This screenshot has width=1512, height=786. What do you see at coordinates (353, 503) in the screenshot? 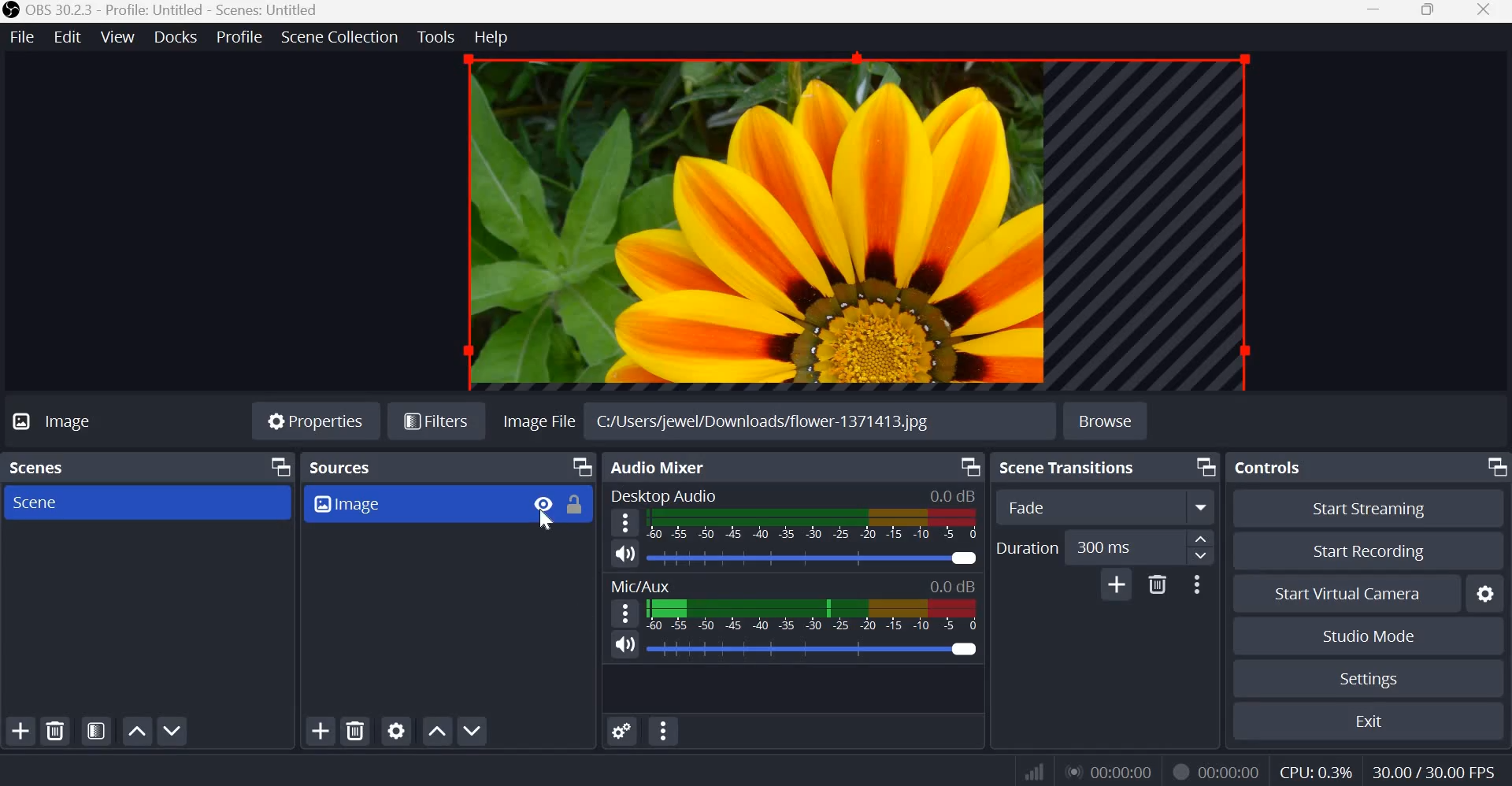
I see `Image` at bounding box center [353, 503].